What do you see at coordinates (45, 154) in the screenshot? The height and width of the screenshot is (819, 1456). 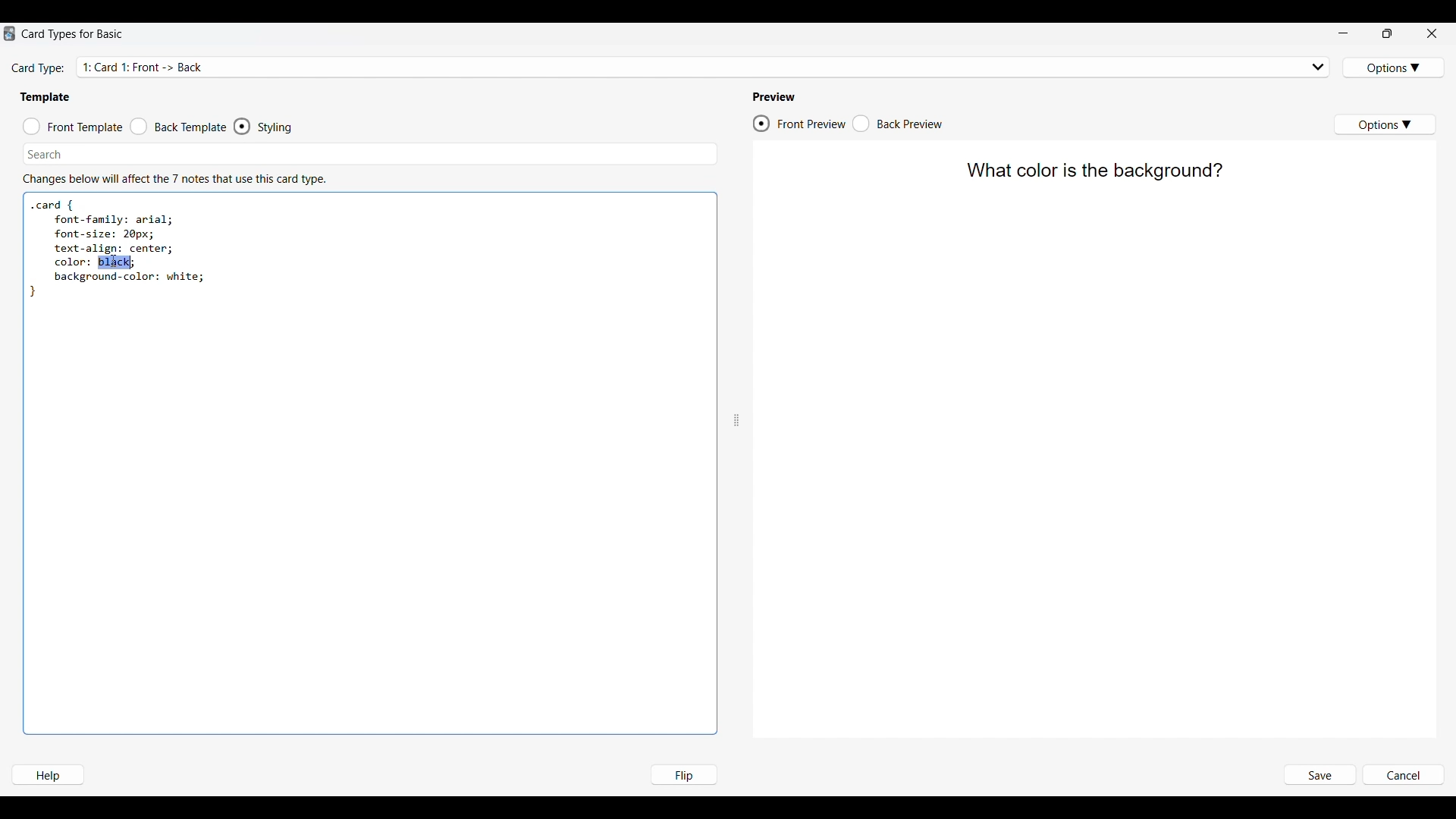 I see `Search` at bounding box center [45, 154].